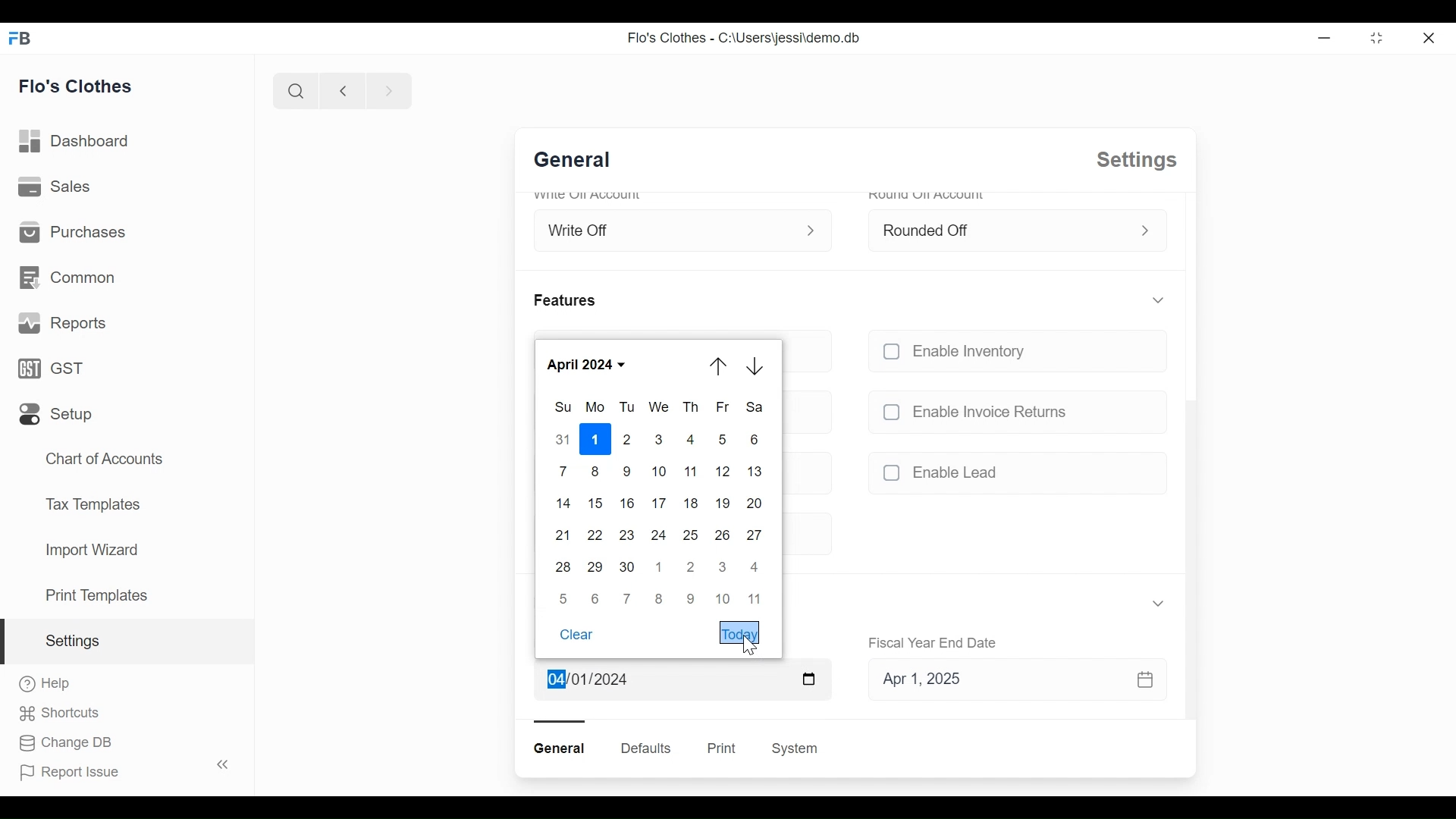 This screenshot has height=819, width=1456. I want to click on Th, so click(692, 407).